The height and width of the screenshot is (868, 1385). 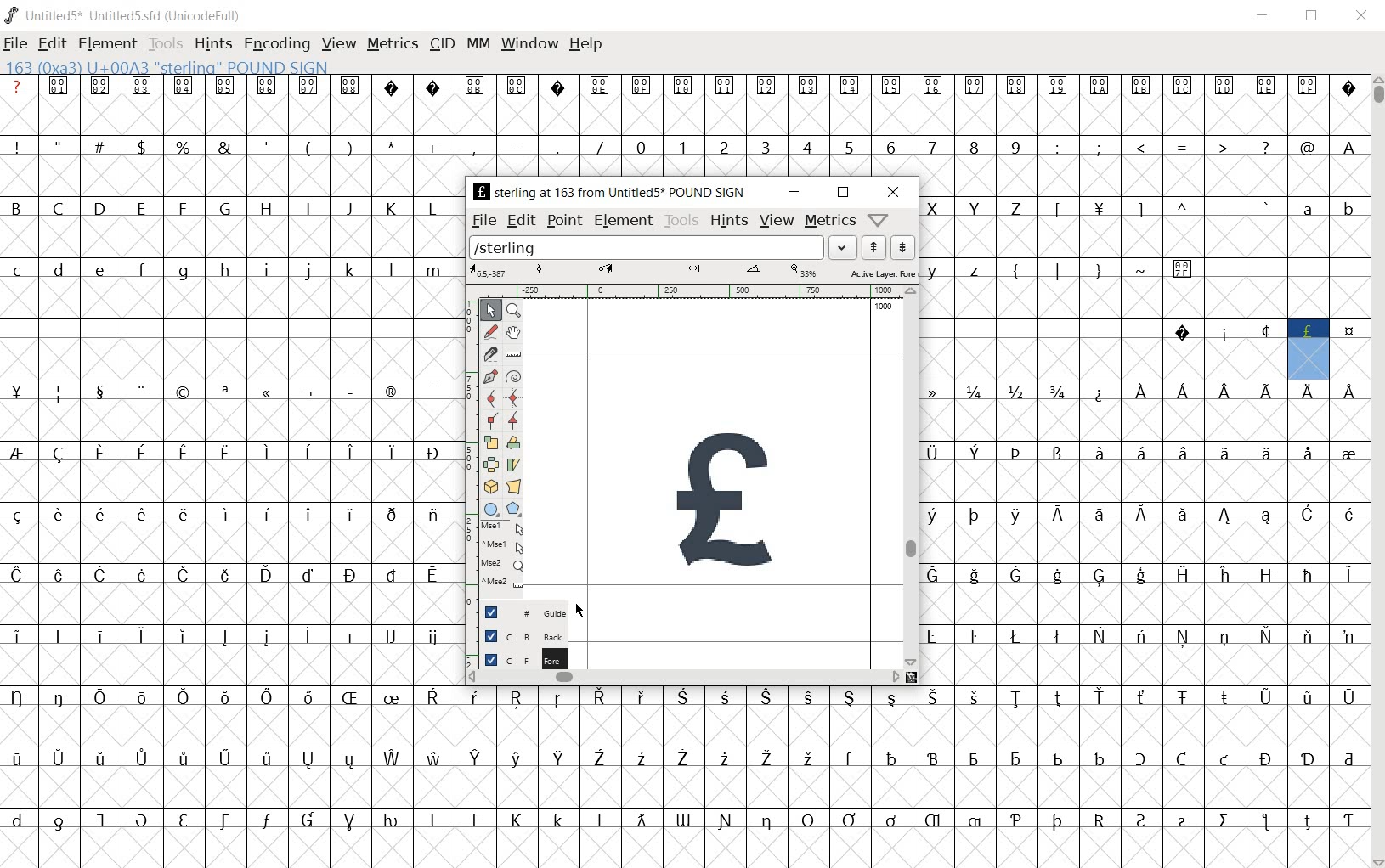 What do you see at coordinates (936, 270) in the screenshot?
I see `y` at bounding box center [936, 270].